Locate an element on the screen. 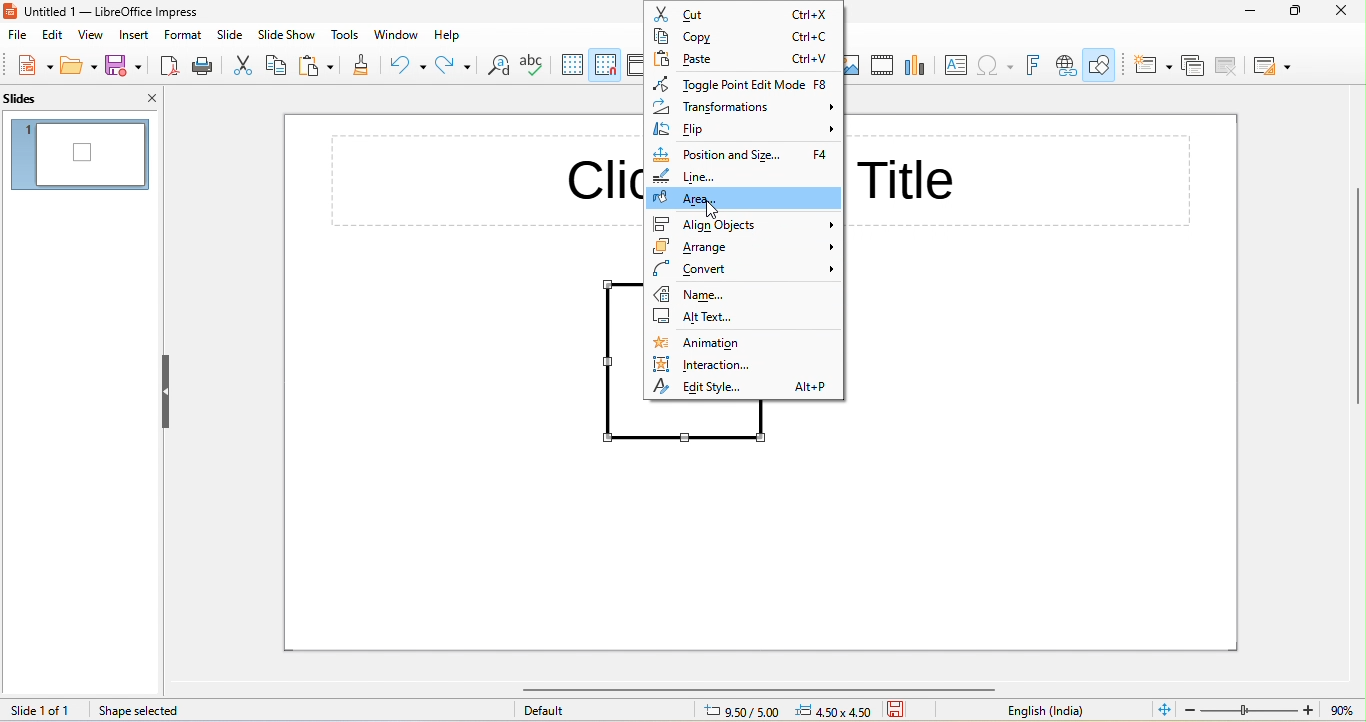  title is located at coordinates (114, 11).